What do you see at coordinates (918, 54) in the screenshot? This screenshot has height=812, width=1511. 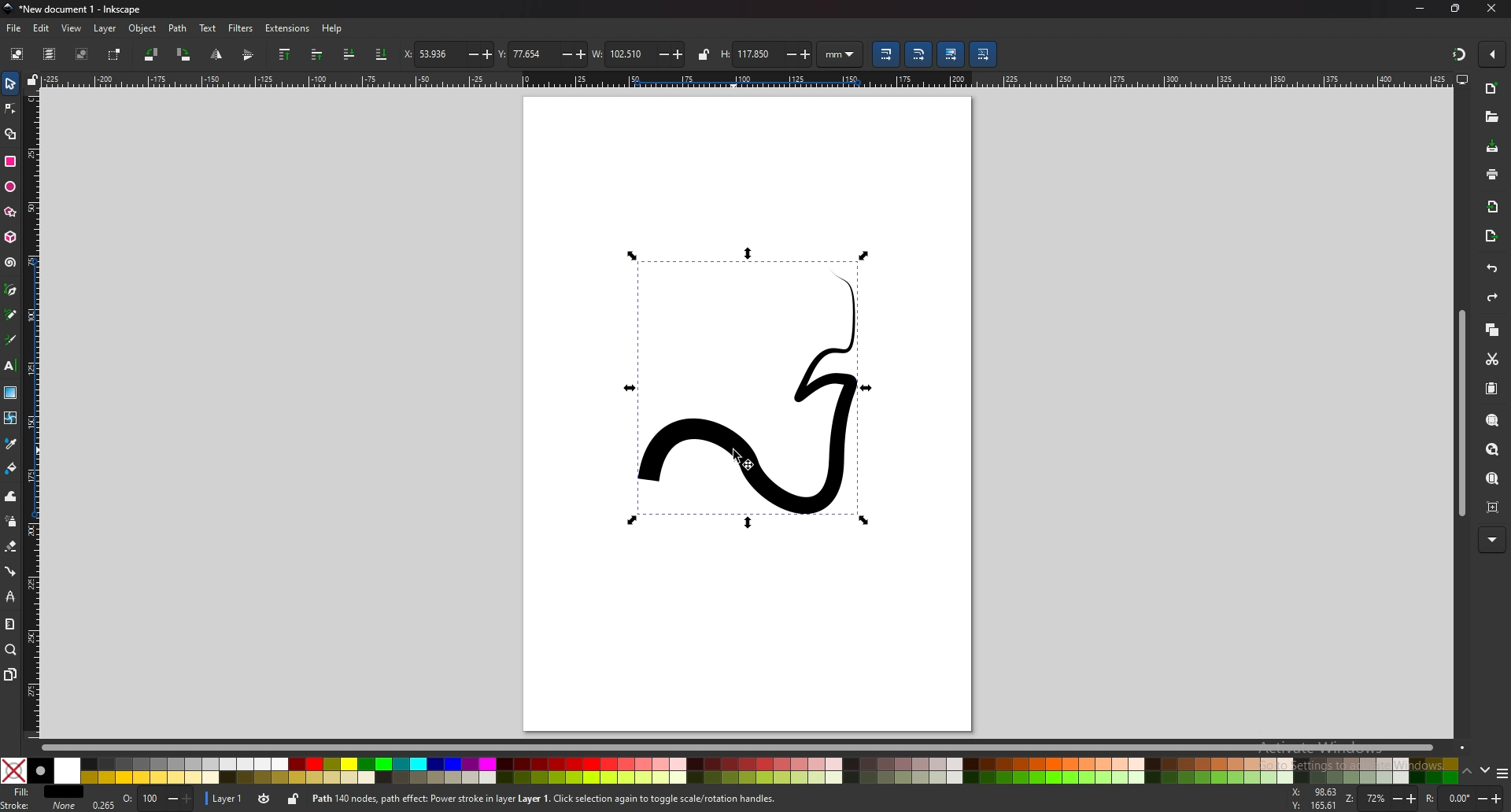 I see `scale radii` at bounding box center [918, 54].